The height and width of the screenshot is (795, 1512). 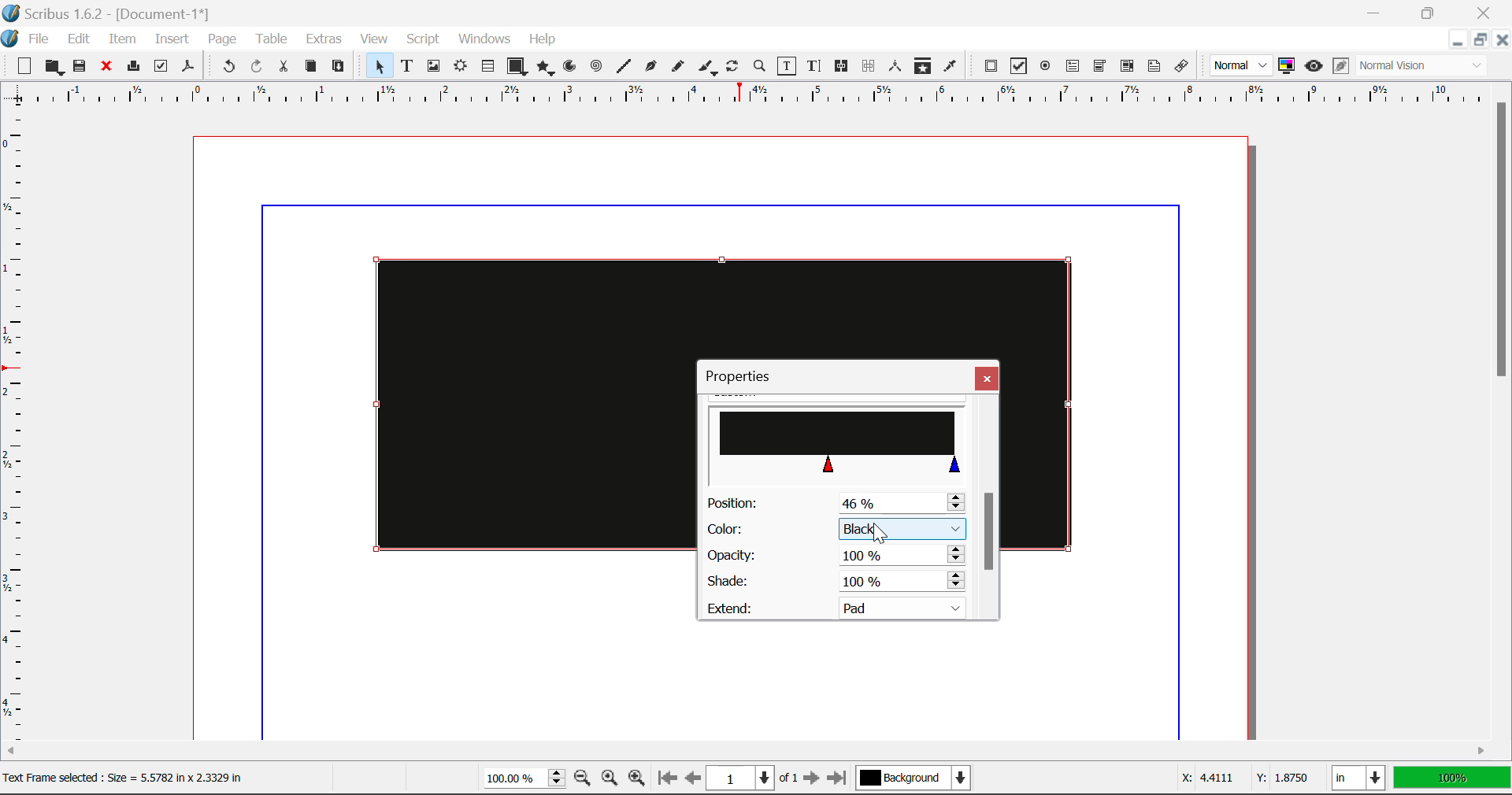 What do you see at coordinates (1045, 68) in the screenshot?
I see `PDF Radio Button` at bounding box center [1045, 68].